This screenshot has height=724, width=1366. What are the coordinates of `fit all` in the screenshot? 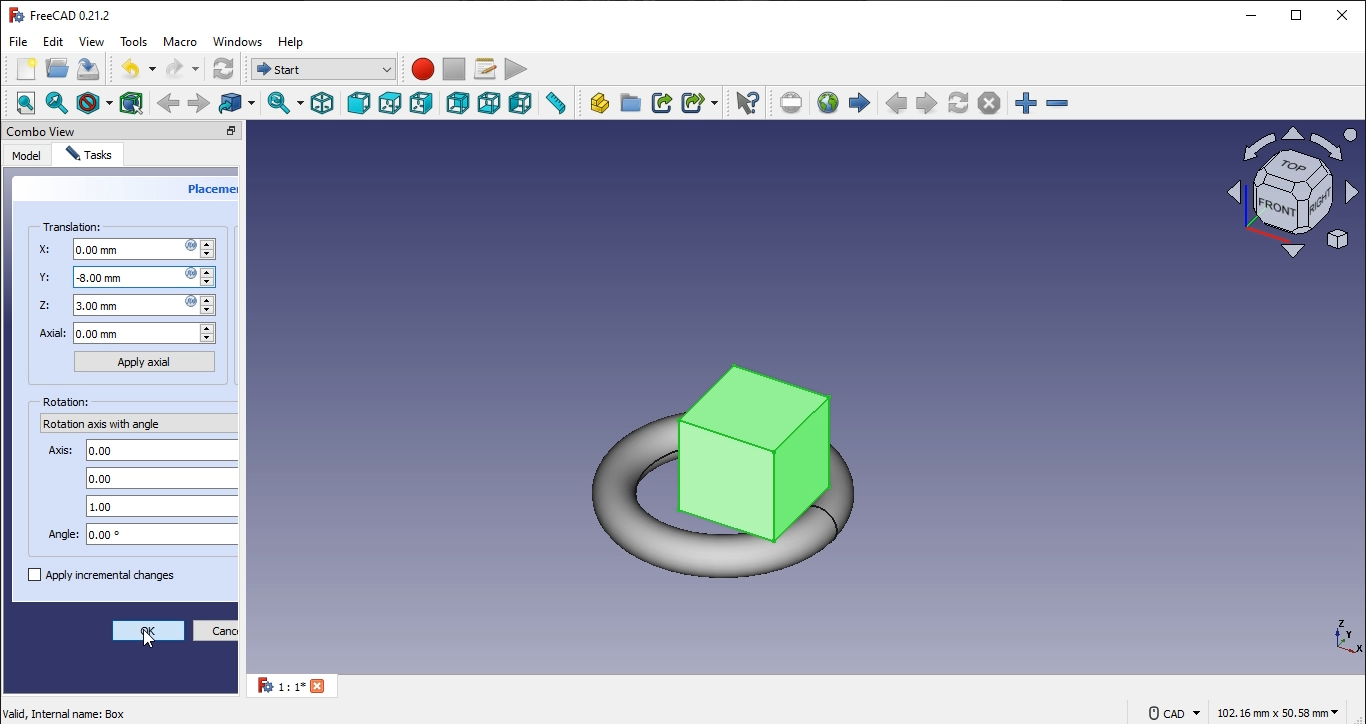 It's located at (26, 102).